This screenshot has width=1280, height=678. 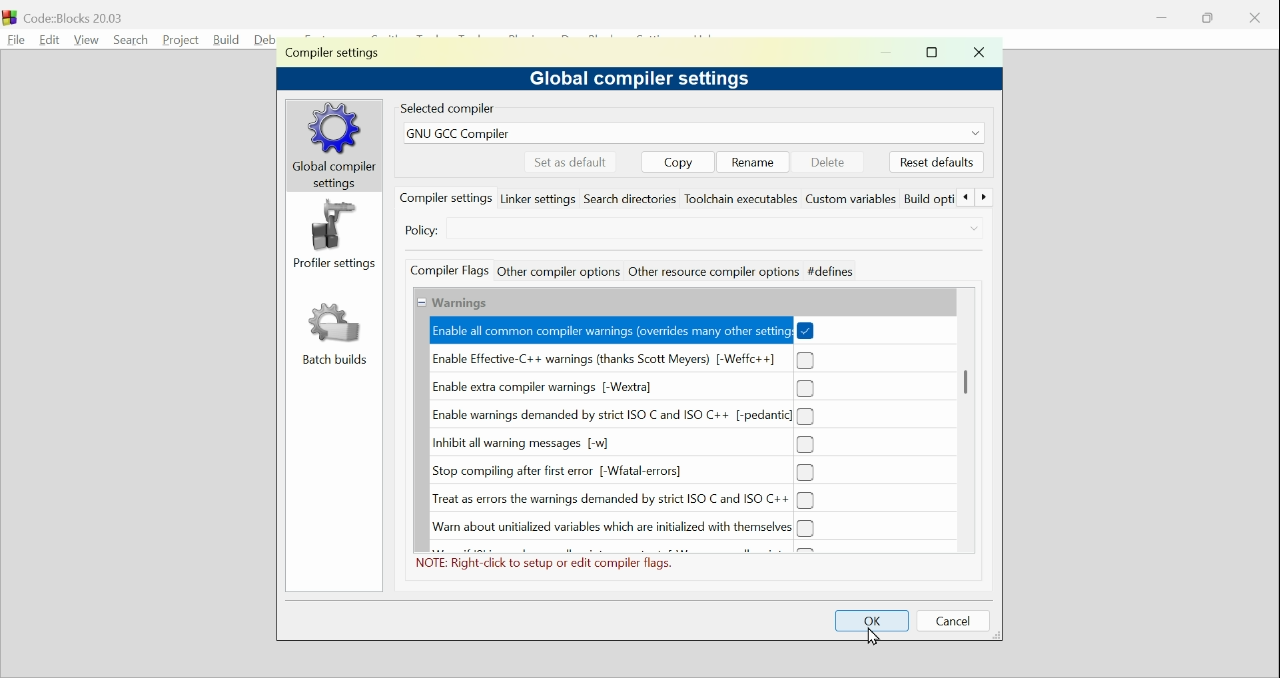 What do you see at coordinates (985, 199) in the screenshot?
I see `Forward` at bounding box center [985, 199].